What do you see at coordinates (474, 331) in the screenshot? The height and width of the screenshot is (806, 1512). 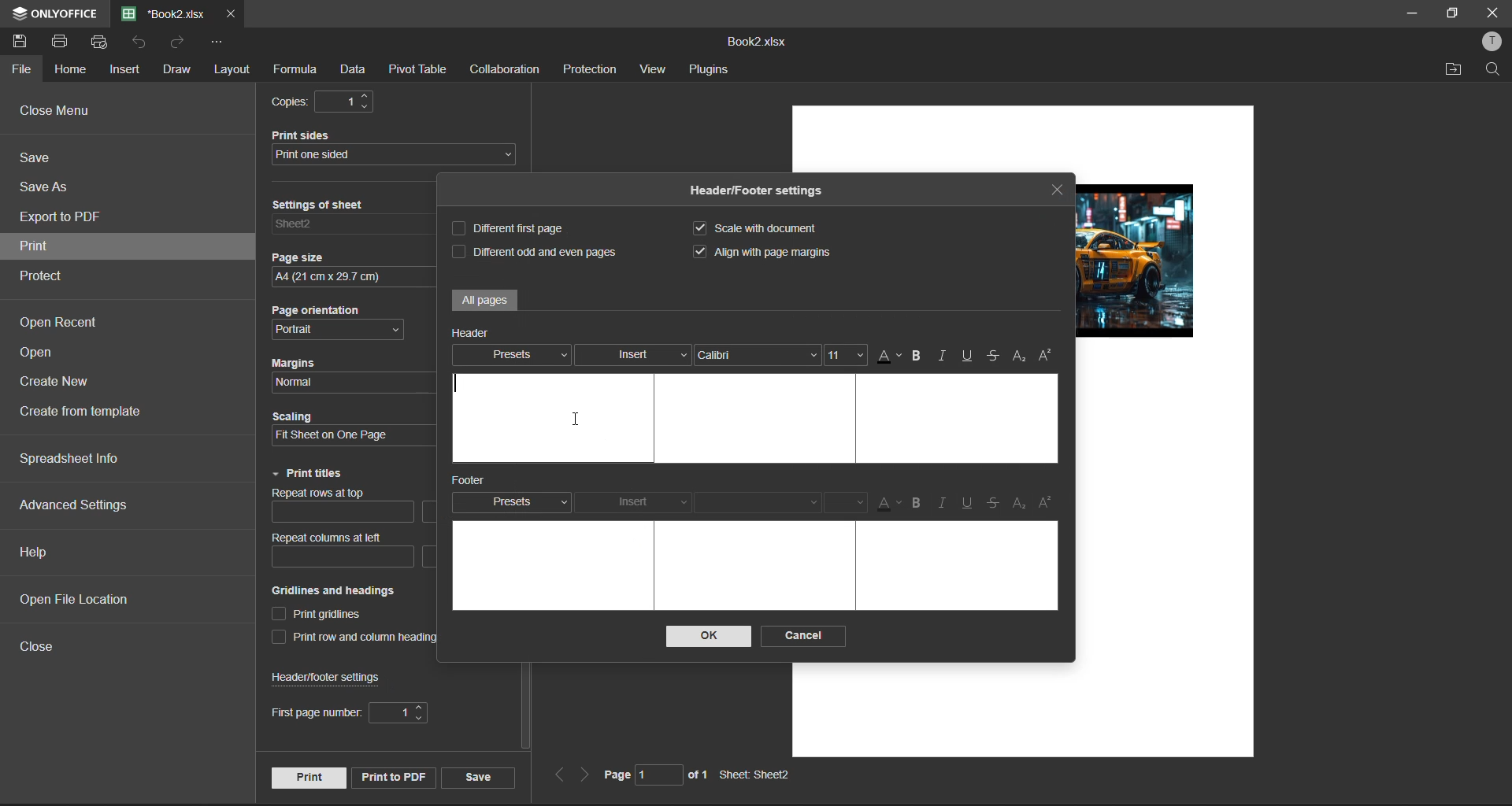 I see `header` at bounding box center [474, 331].